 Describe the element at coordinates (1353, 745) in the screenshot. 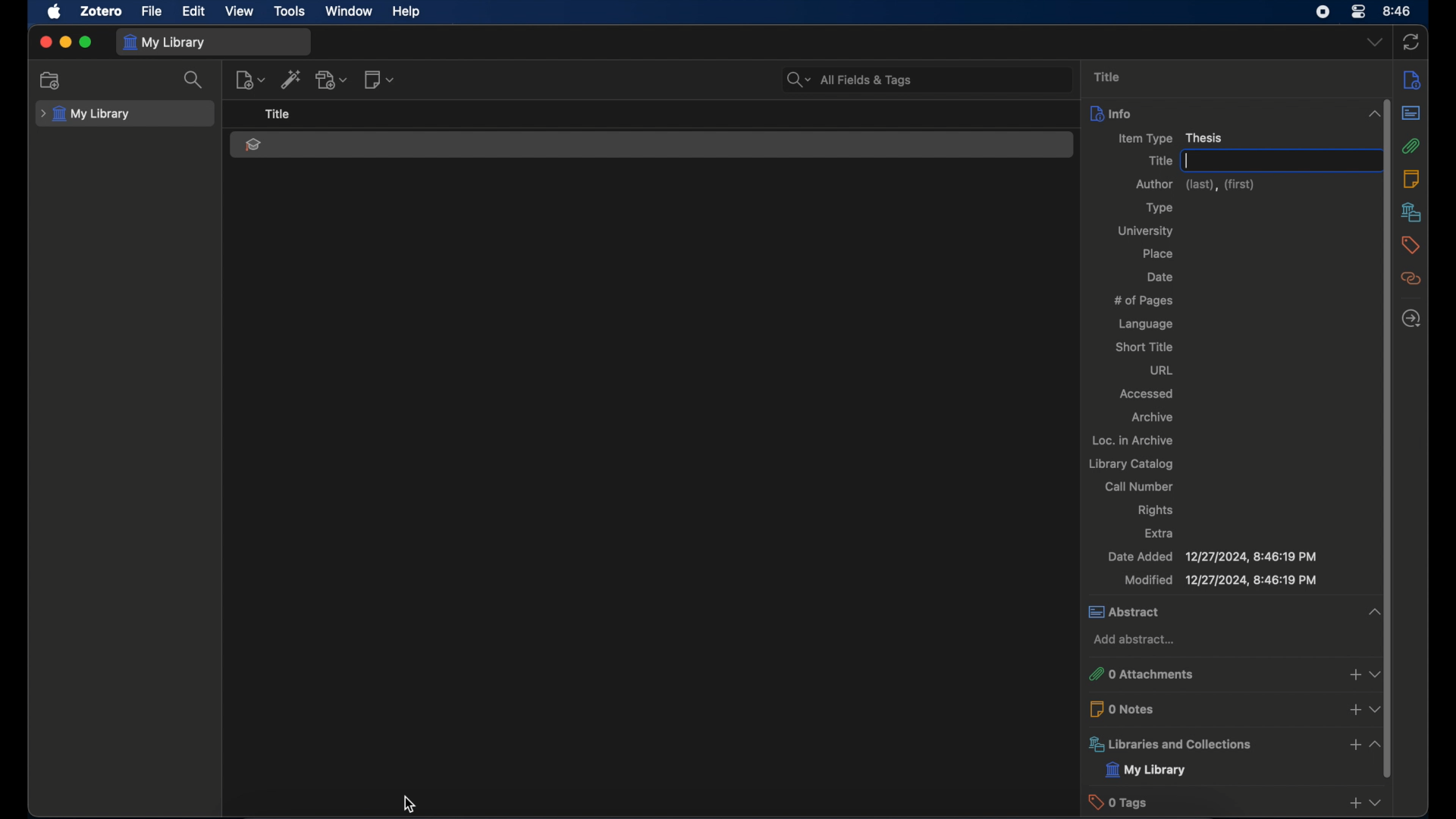

I see `add libraries` at that location.